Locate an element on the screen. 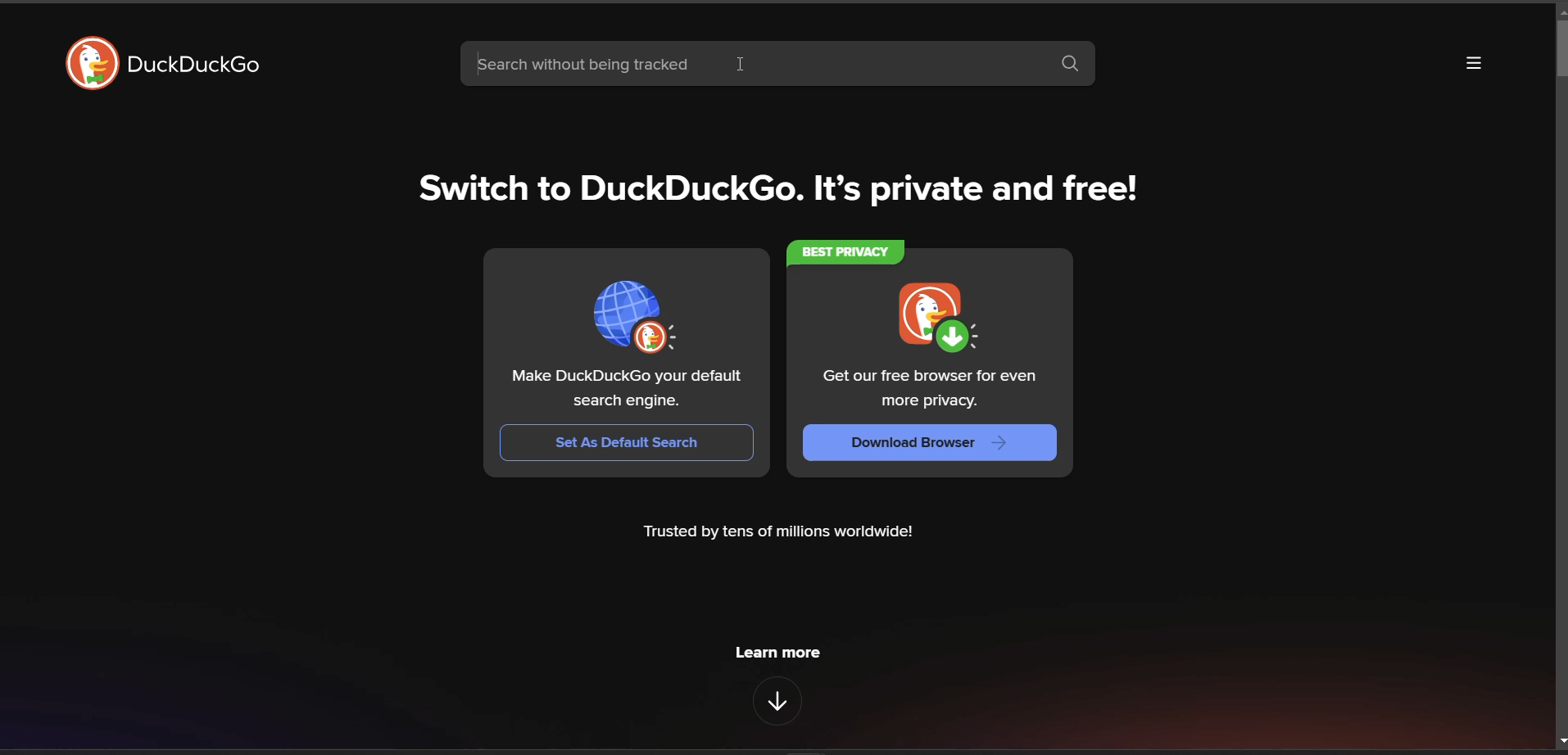  Trusted by tens of millions worldwide! is located at coordinates (789, 531).